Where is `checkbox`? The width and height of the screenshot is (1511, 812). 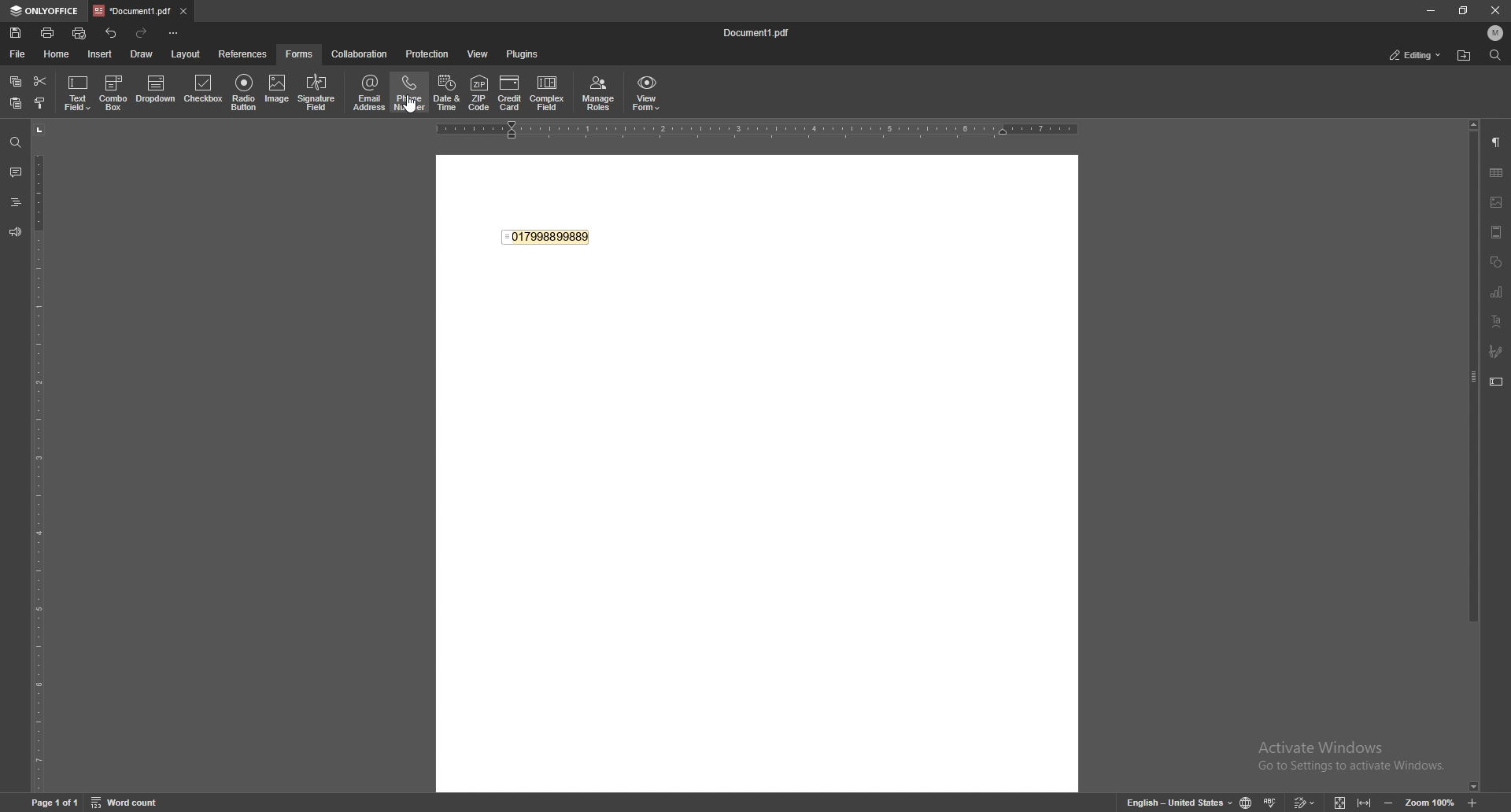
checkbox is located at coordinates (204, 90).